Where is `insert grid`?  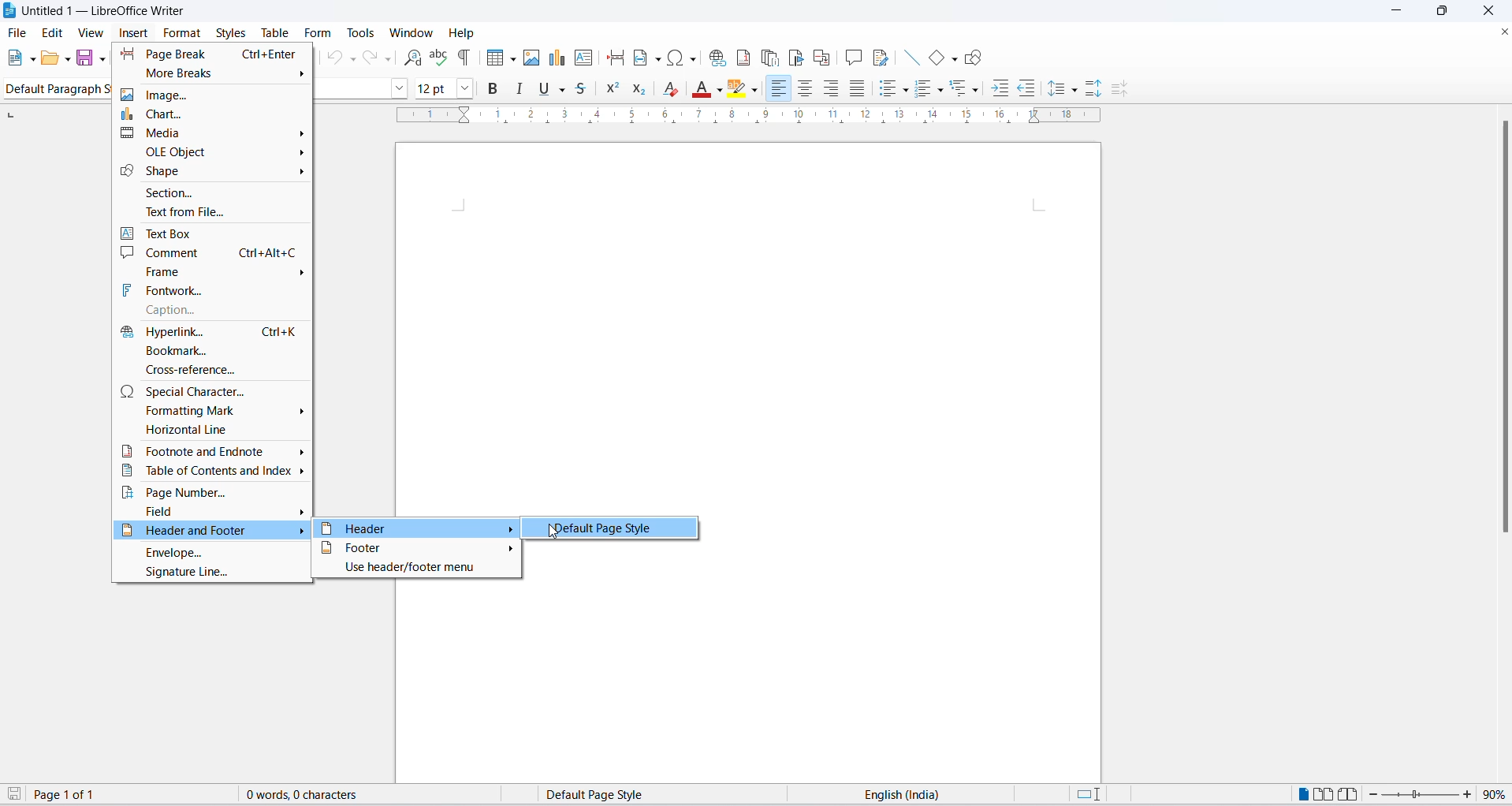
insert grid is located at coordinates (491, 58).